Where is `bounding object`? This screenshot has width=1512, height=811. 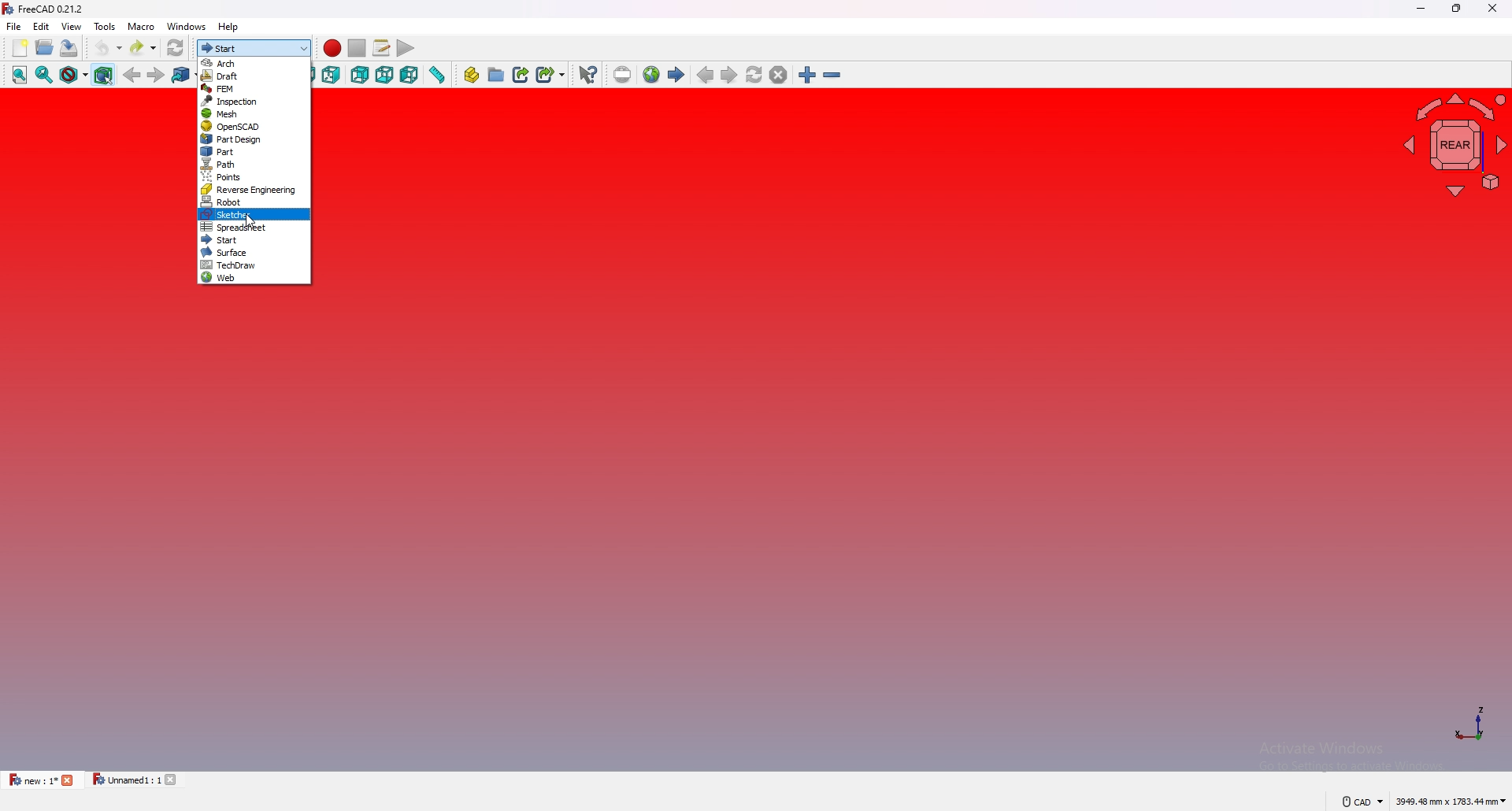 bounding object is located at coordinates (104, 73).